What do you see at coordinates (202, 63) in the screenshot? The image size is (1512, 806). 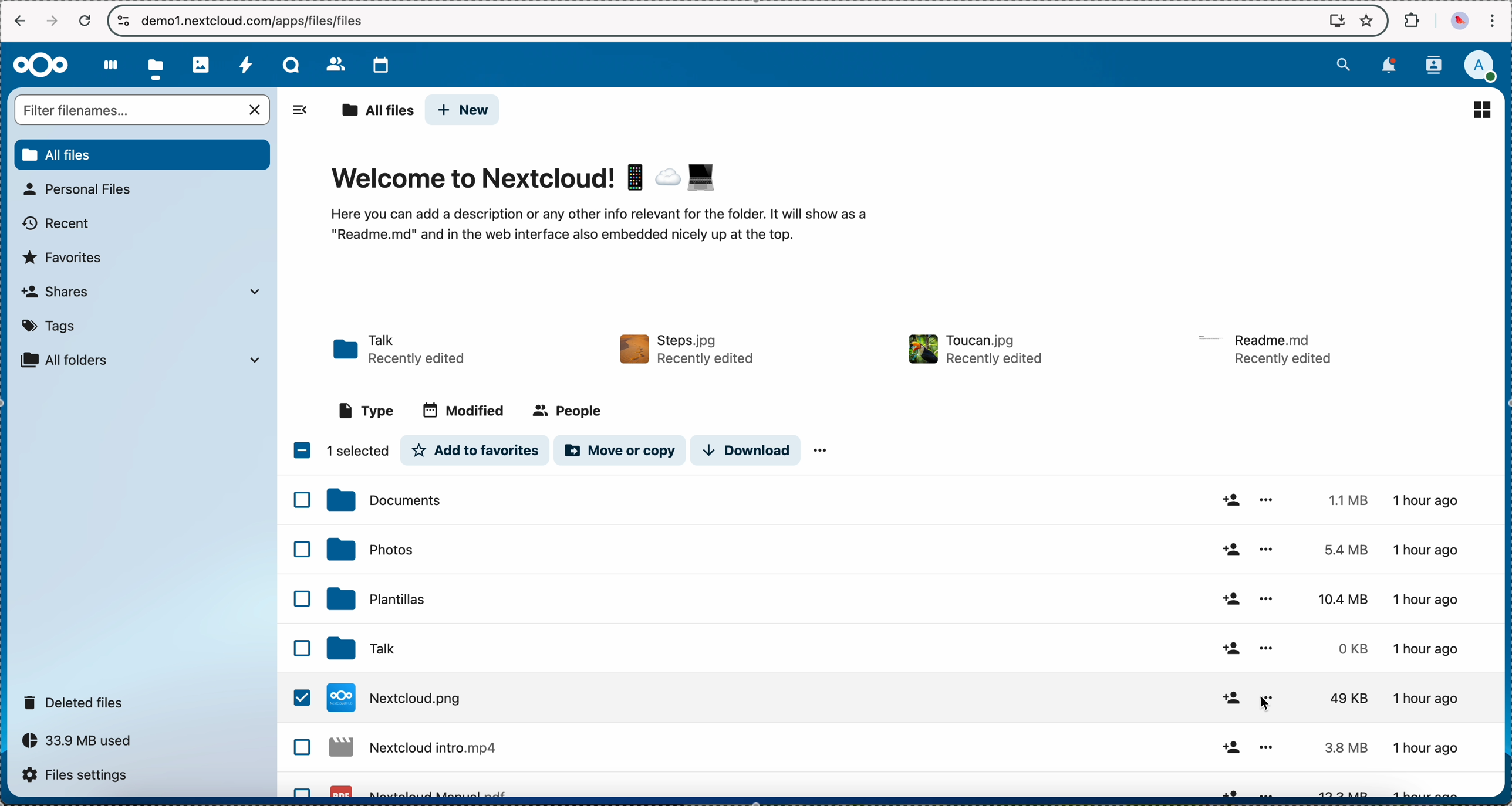 I see `photos` at bounding box center [202, 63].